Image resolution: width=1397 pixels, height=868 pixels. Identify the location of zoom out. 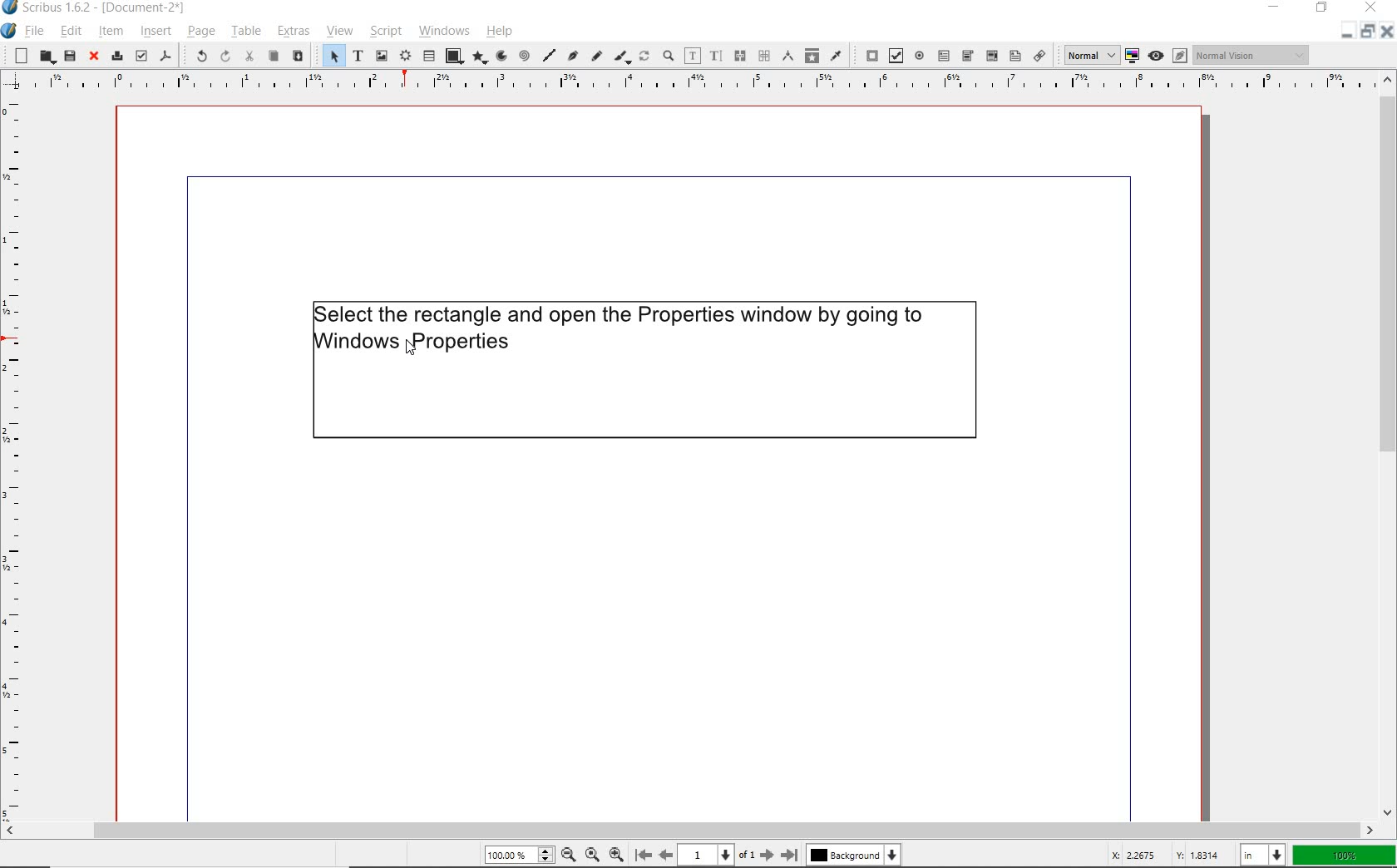
(568, 854).